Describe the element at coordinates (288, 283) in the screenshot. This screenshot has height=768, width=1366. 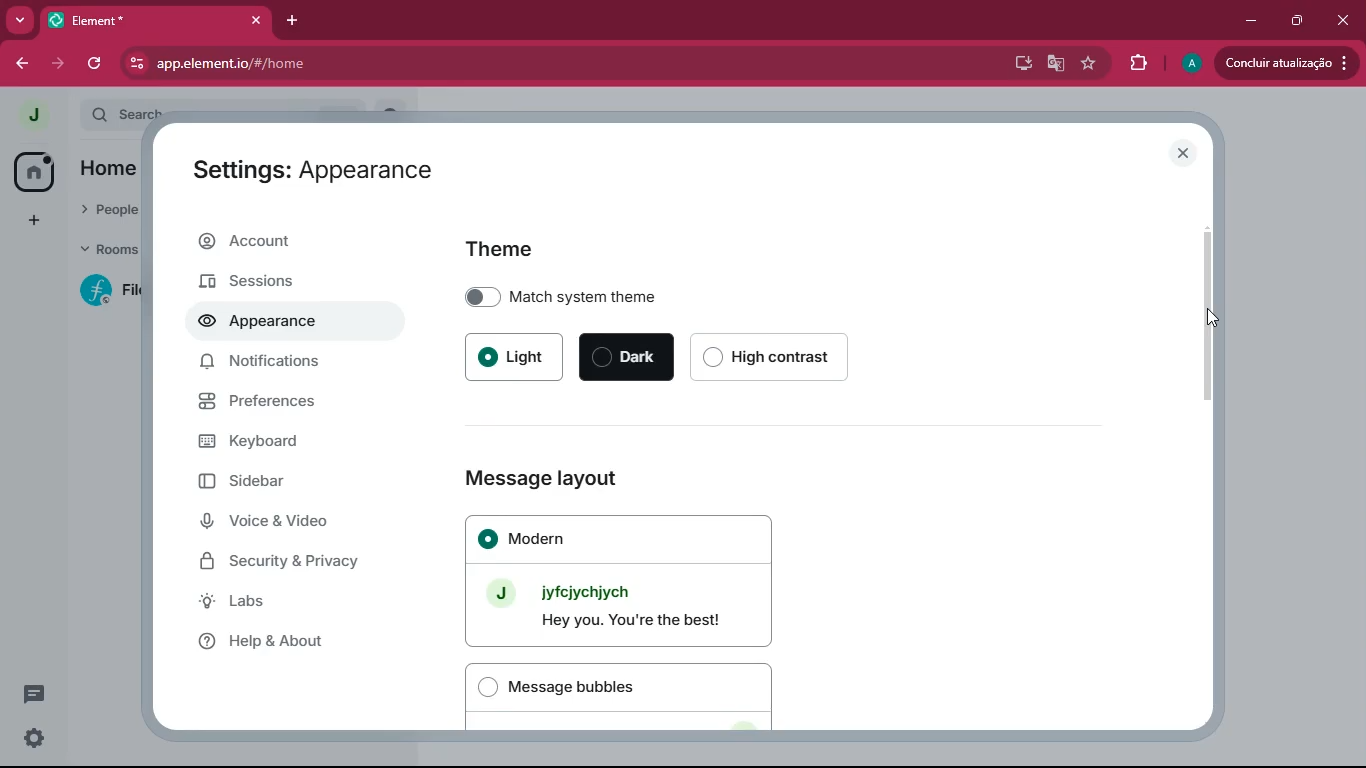
I see `sessions` at that location.